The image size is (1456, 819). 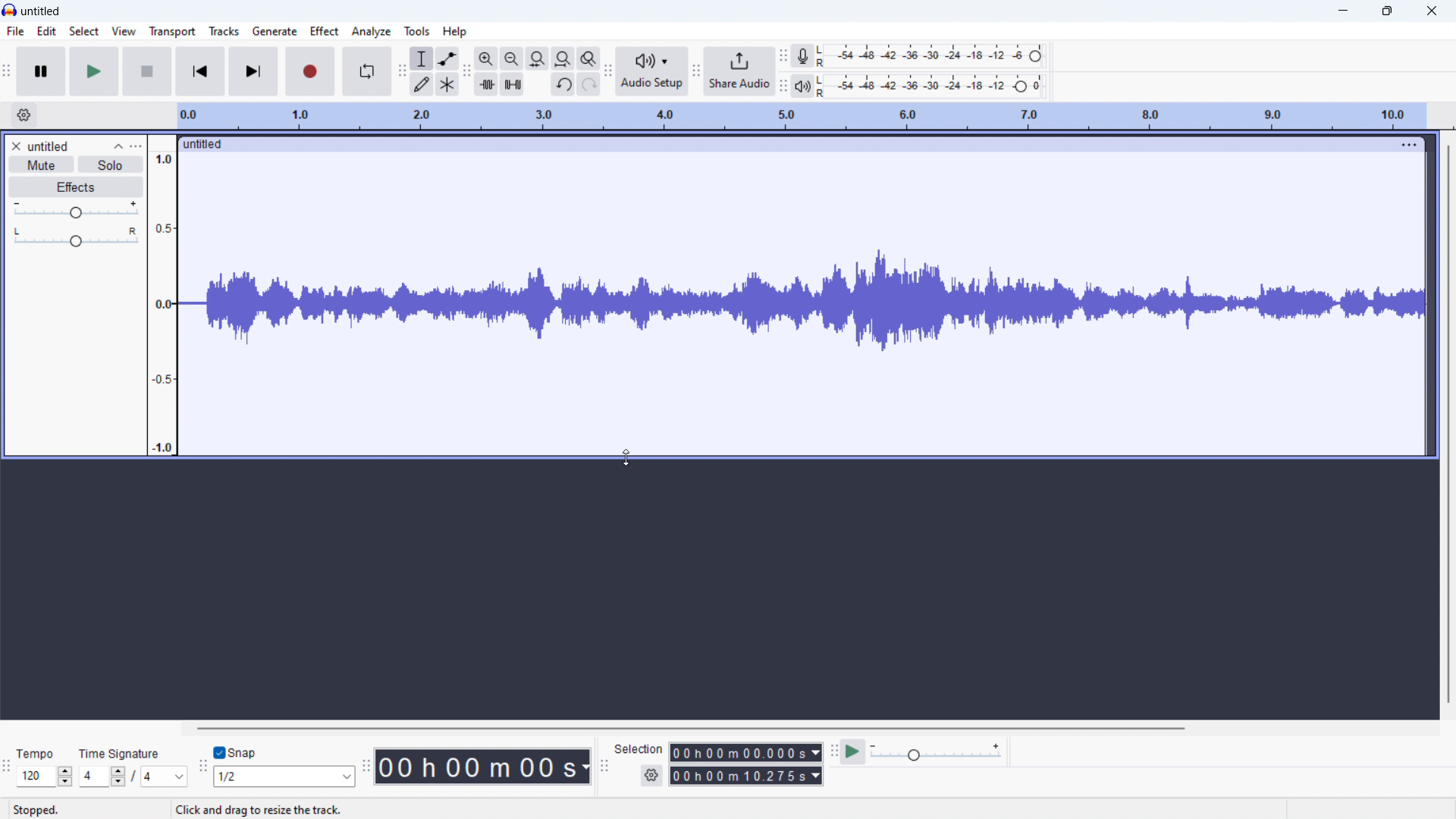 What do you see at coordinates (537, 59) in the screenshot?
I see `fit selection to width` at bounding box center [537, 59].